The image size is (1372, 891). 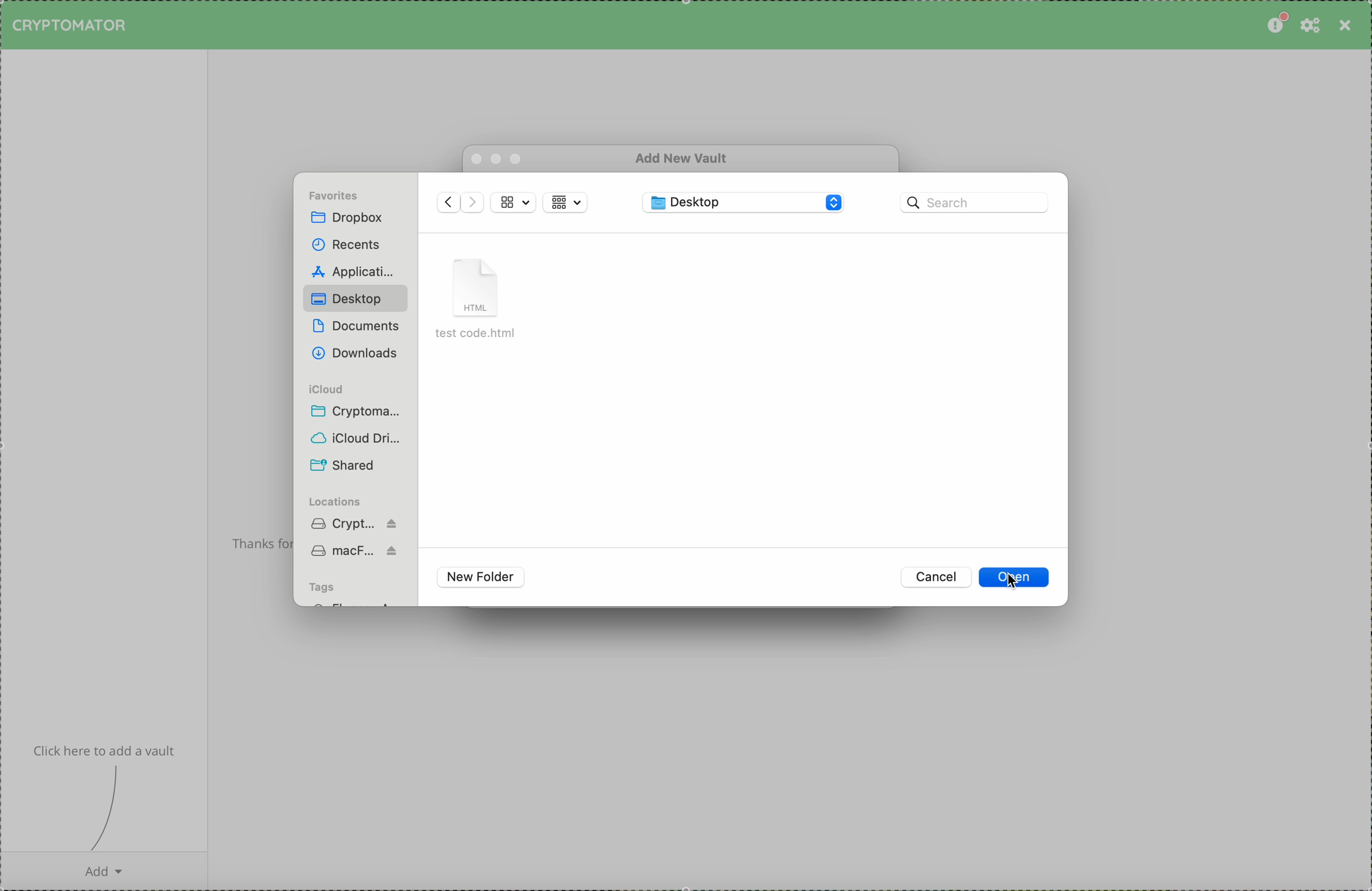 What do you see at coordinates (978, 204) in the screenshot?
I see `search bar` at bounding box center [978, 204].